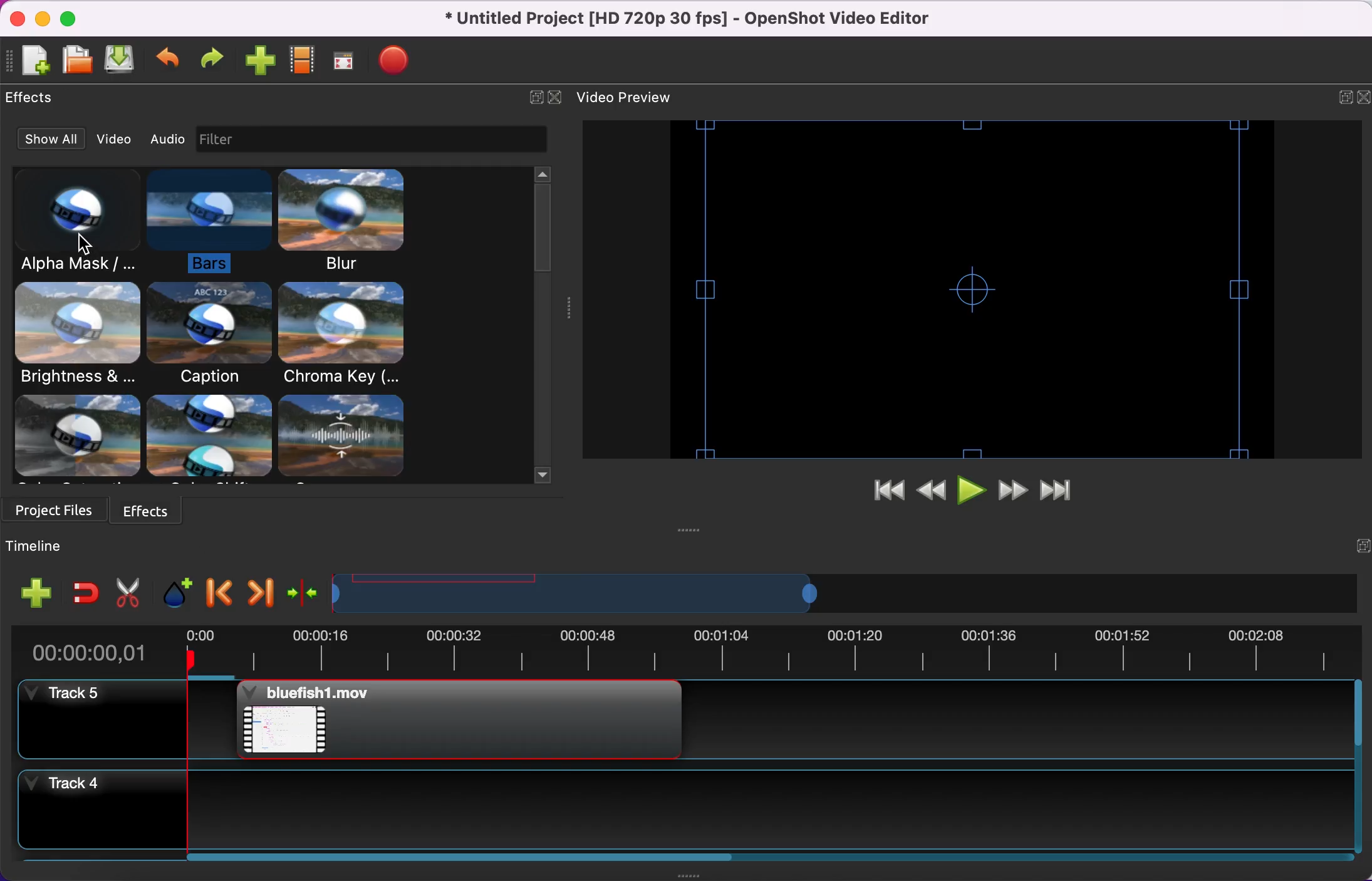 This screenshot has width=1372, height=881. Describe the element at coordinates (681, 653) in the screenshot. I see `time duration` at that location.